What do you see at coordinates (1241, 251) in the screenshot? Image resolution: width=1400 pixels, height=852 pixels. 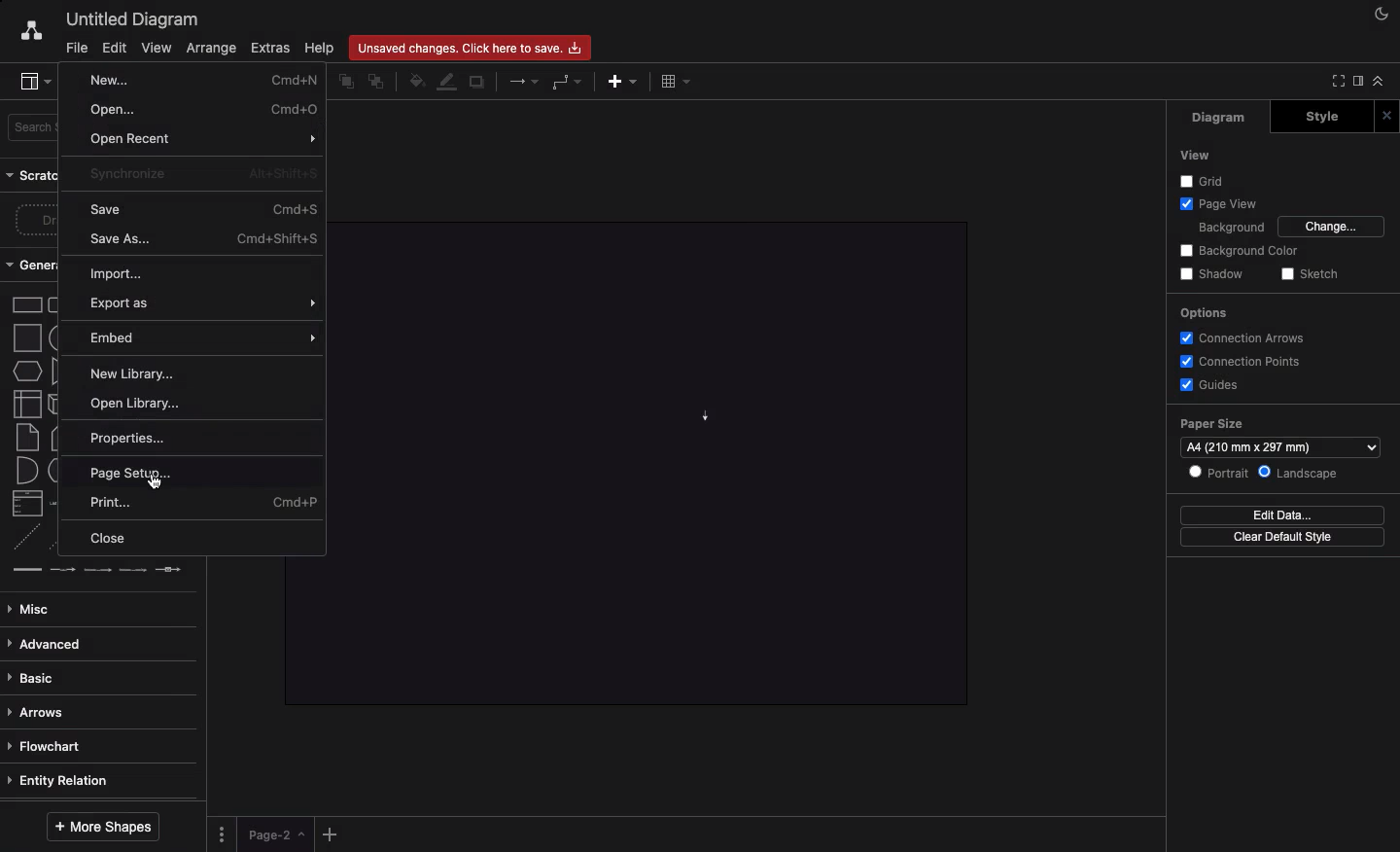 I see `Background color` at bounding box center [1241, 251].